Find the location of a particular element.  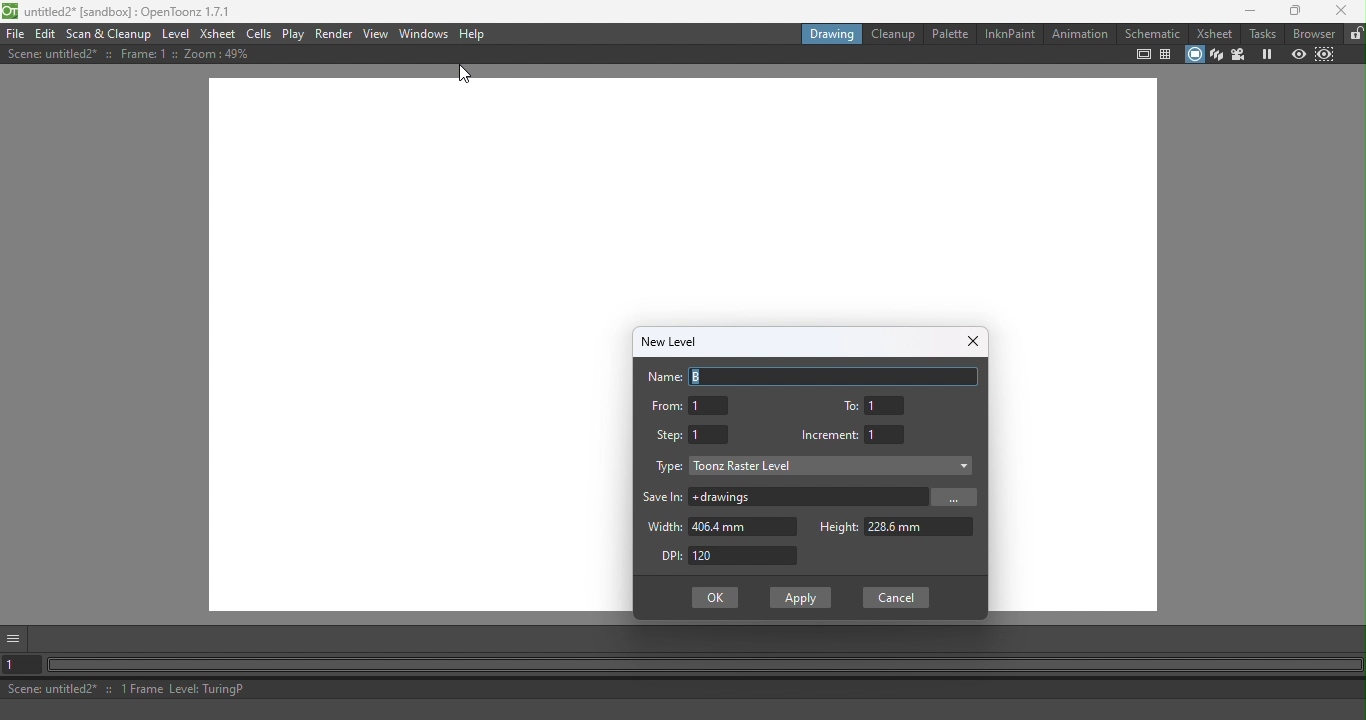

Height is located at coordinates (840, 527).